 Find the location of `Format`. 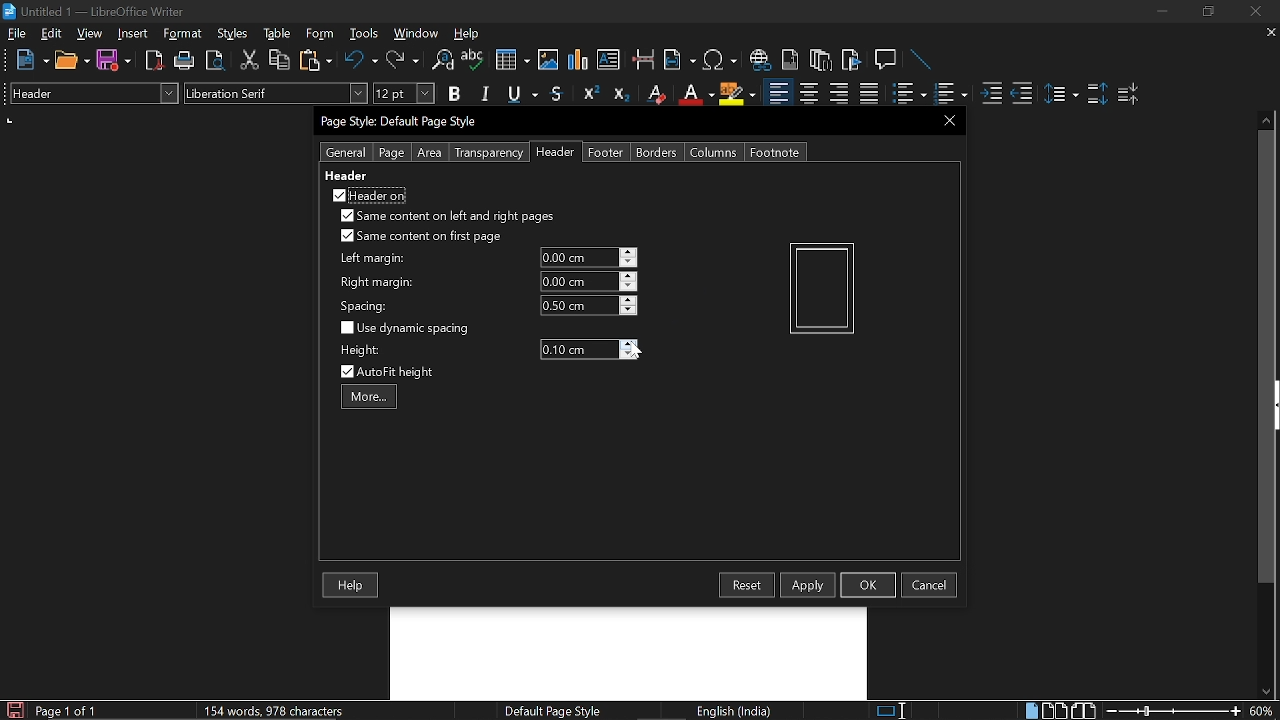

Format is located at coordinates (185, 34).